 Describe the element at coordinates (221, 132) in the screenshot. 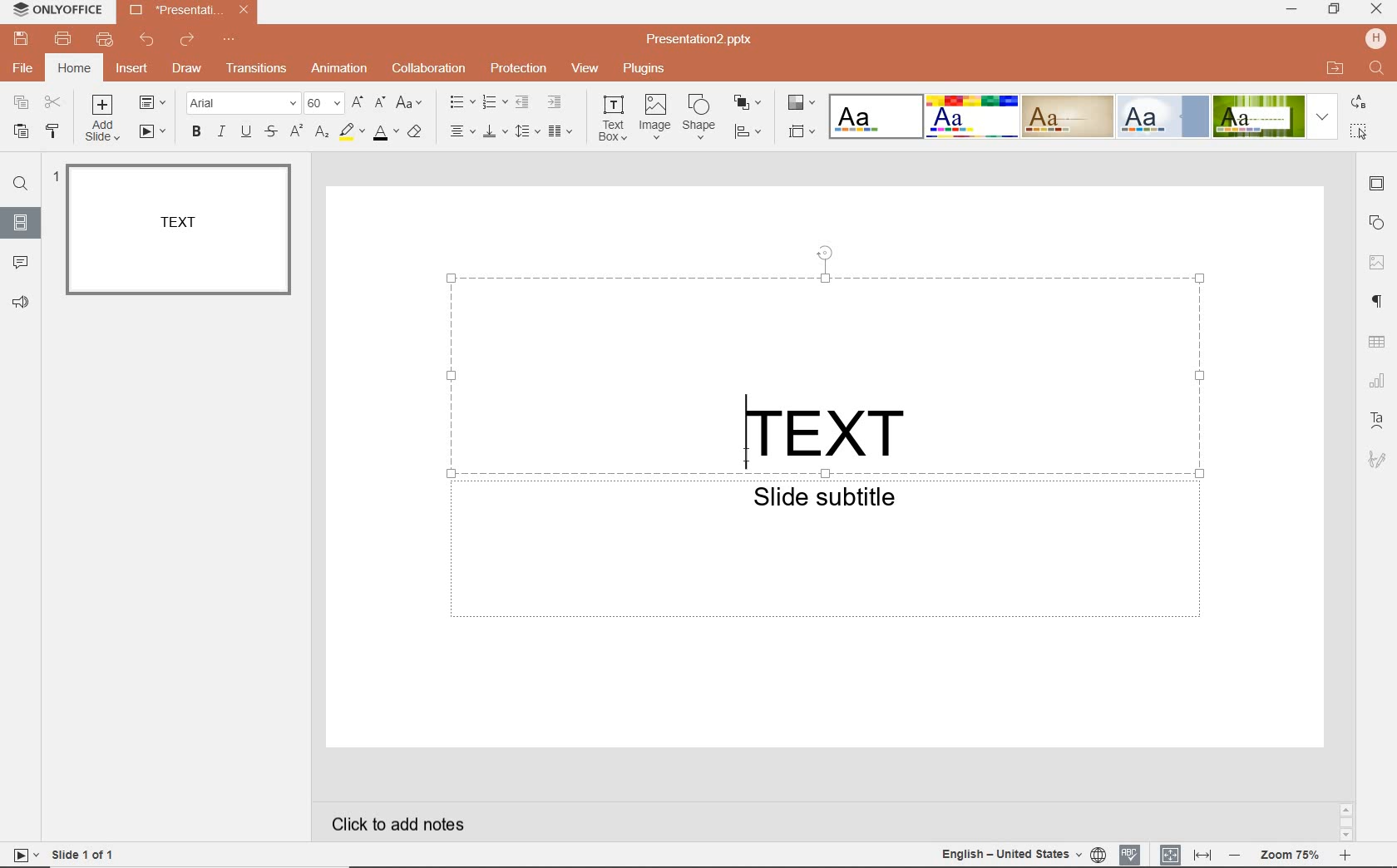

I see `ITALIC` at that location.